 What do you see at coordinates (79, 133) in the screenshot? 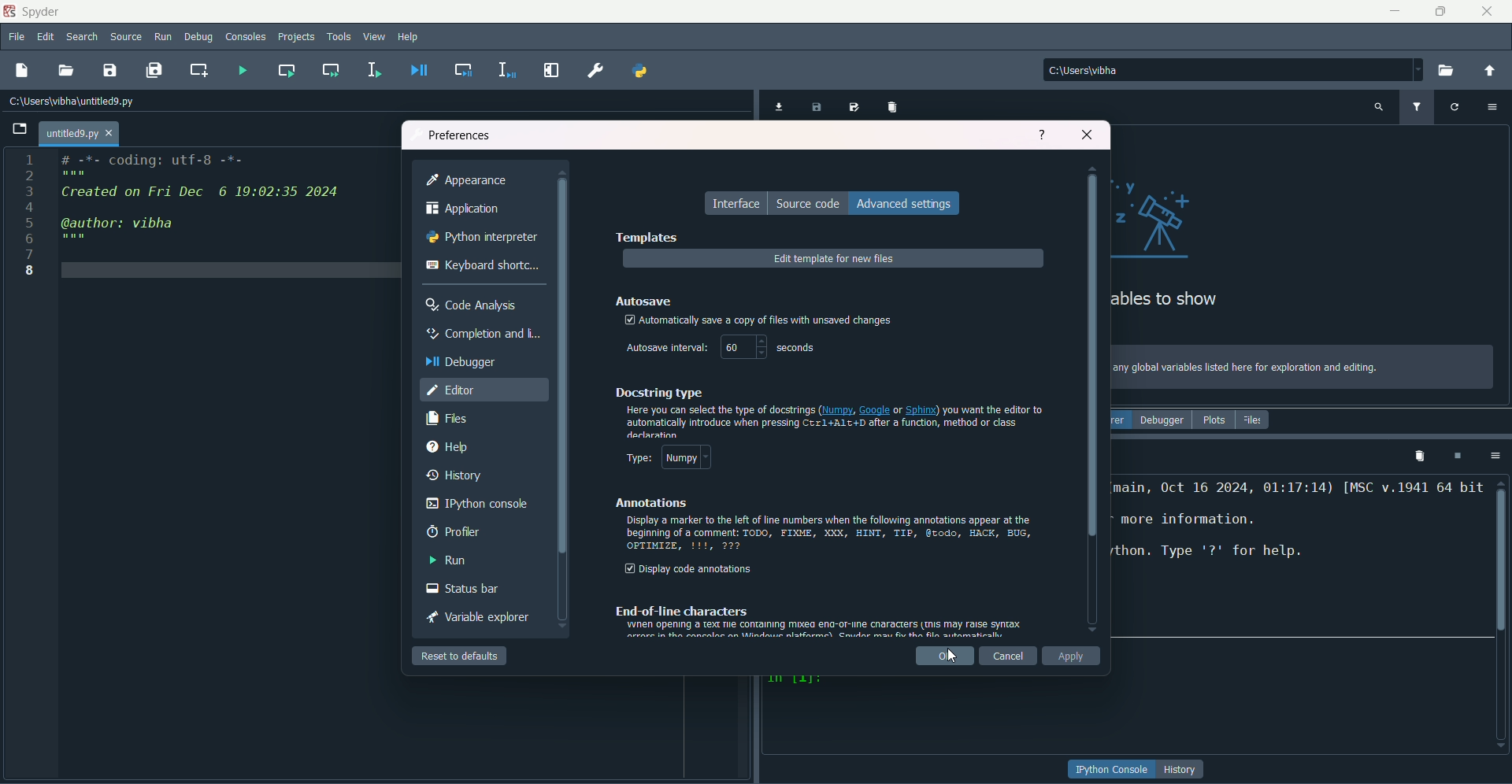
I see `tab name` at bounding box center [79, 133].